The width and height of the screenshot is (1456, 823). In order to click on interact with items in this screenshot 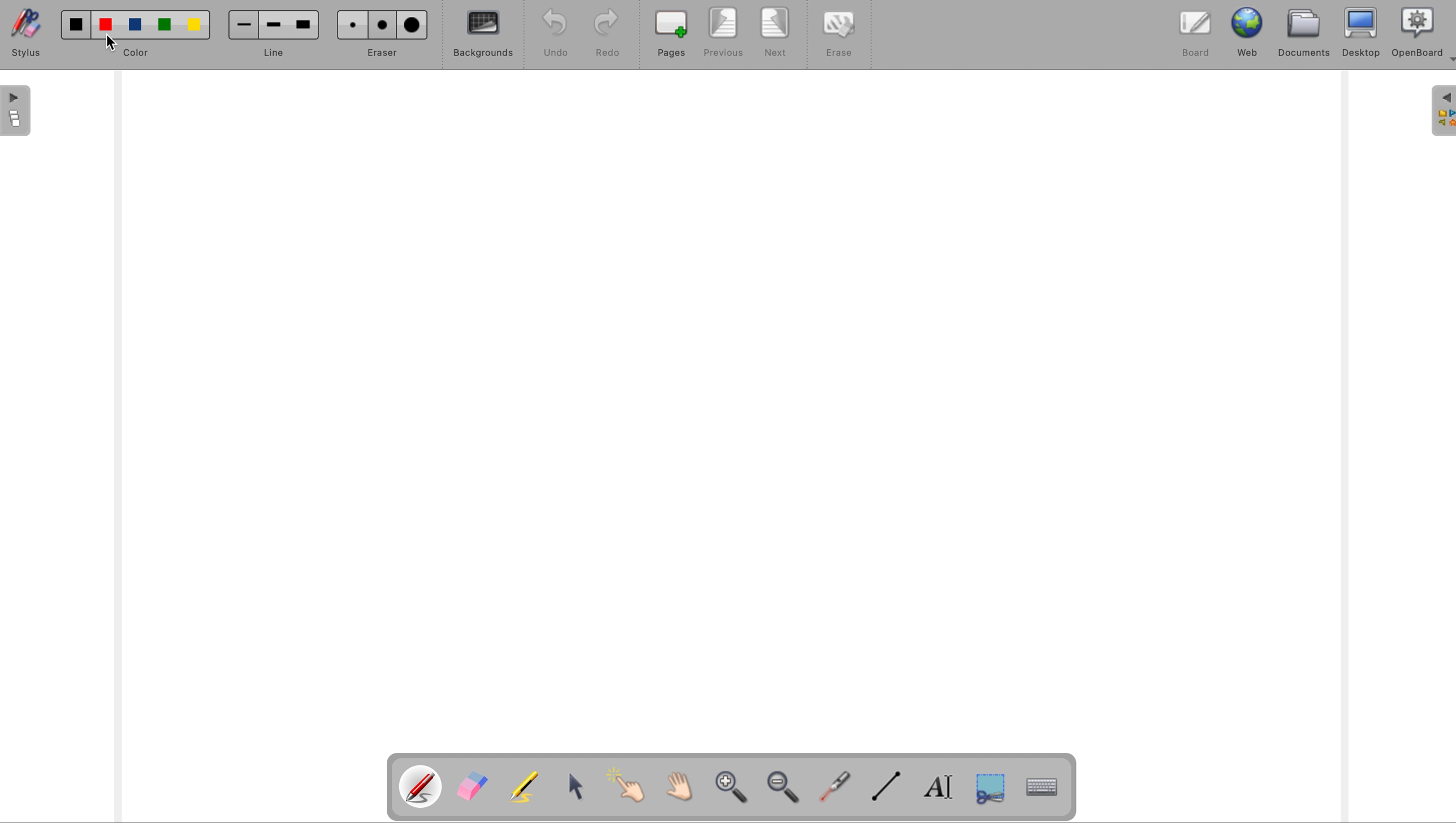, I will do `click(627, 787)`.